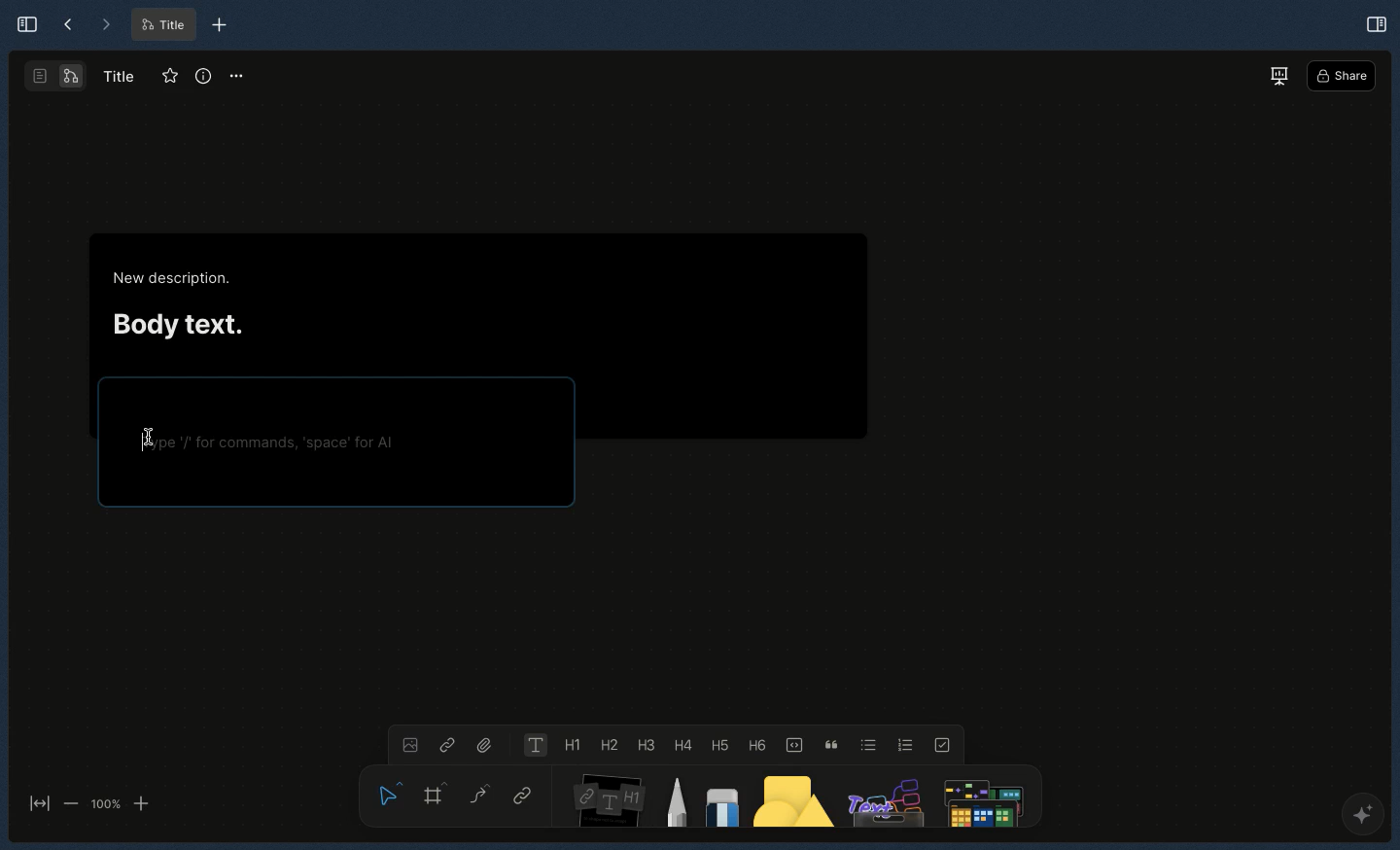  I want to click on Info, so click(203, 77).